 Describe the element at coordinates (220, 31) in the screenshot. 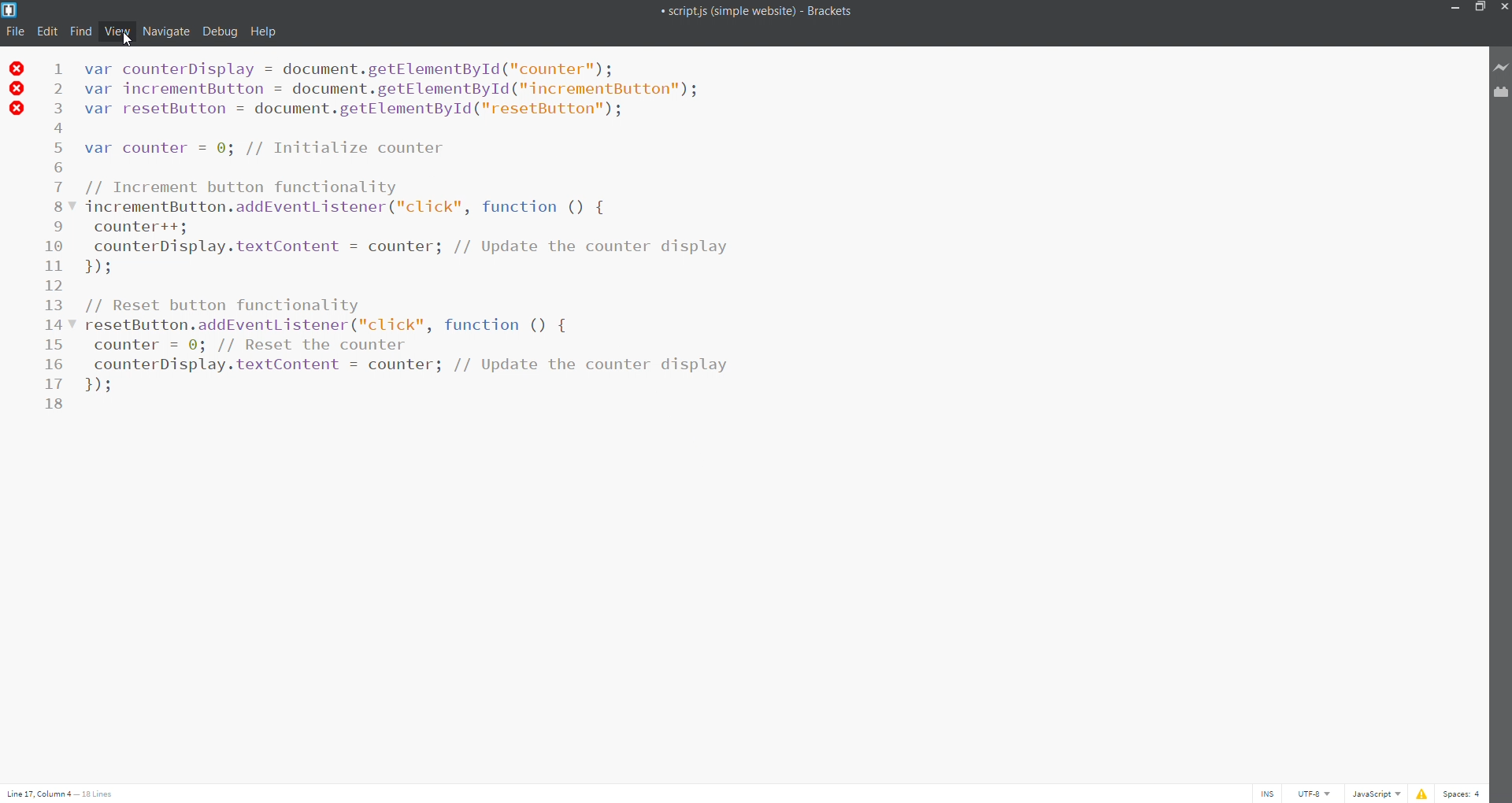

I see `debug` at that location.